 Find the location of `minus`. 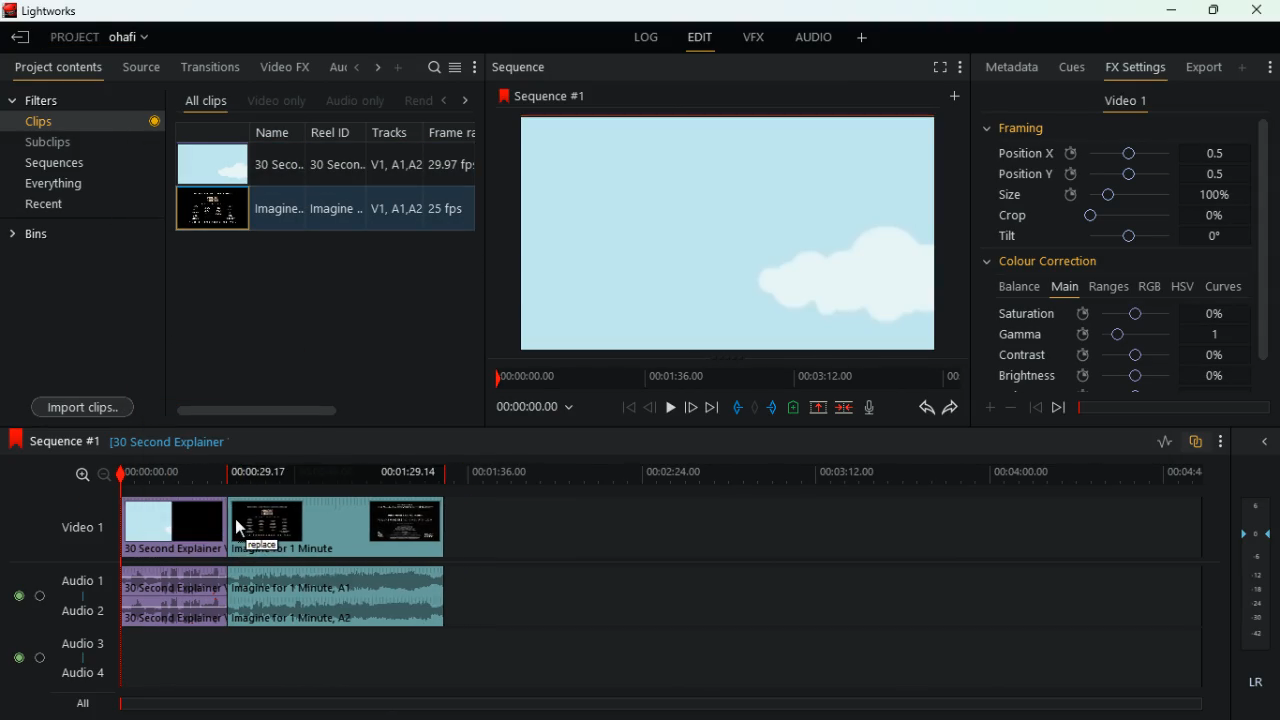

minus is located at coordinates (1014, 408).